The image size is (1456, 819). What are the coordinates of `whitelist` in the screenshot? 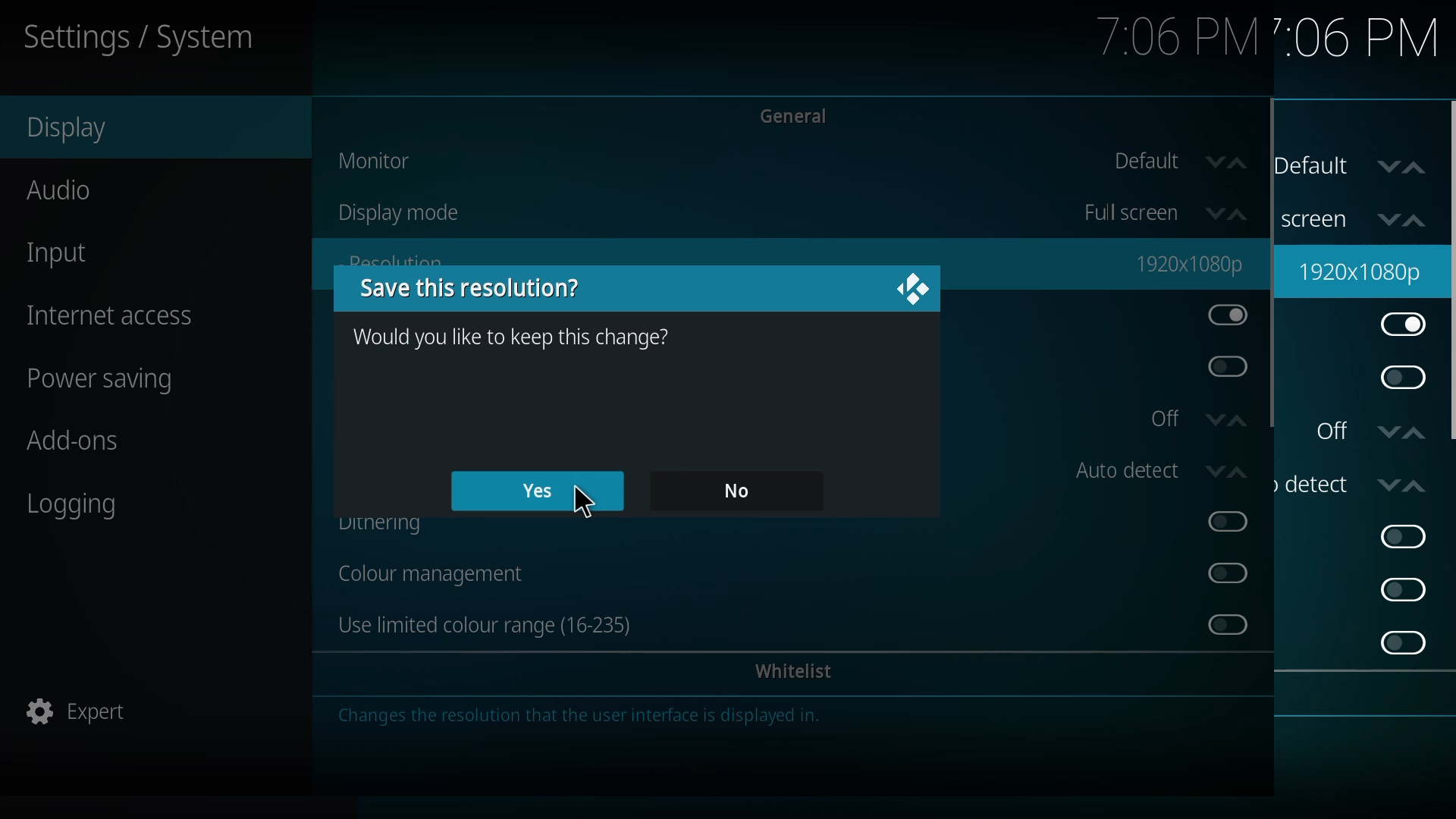 It's located at (799, 674).